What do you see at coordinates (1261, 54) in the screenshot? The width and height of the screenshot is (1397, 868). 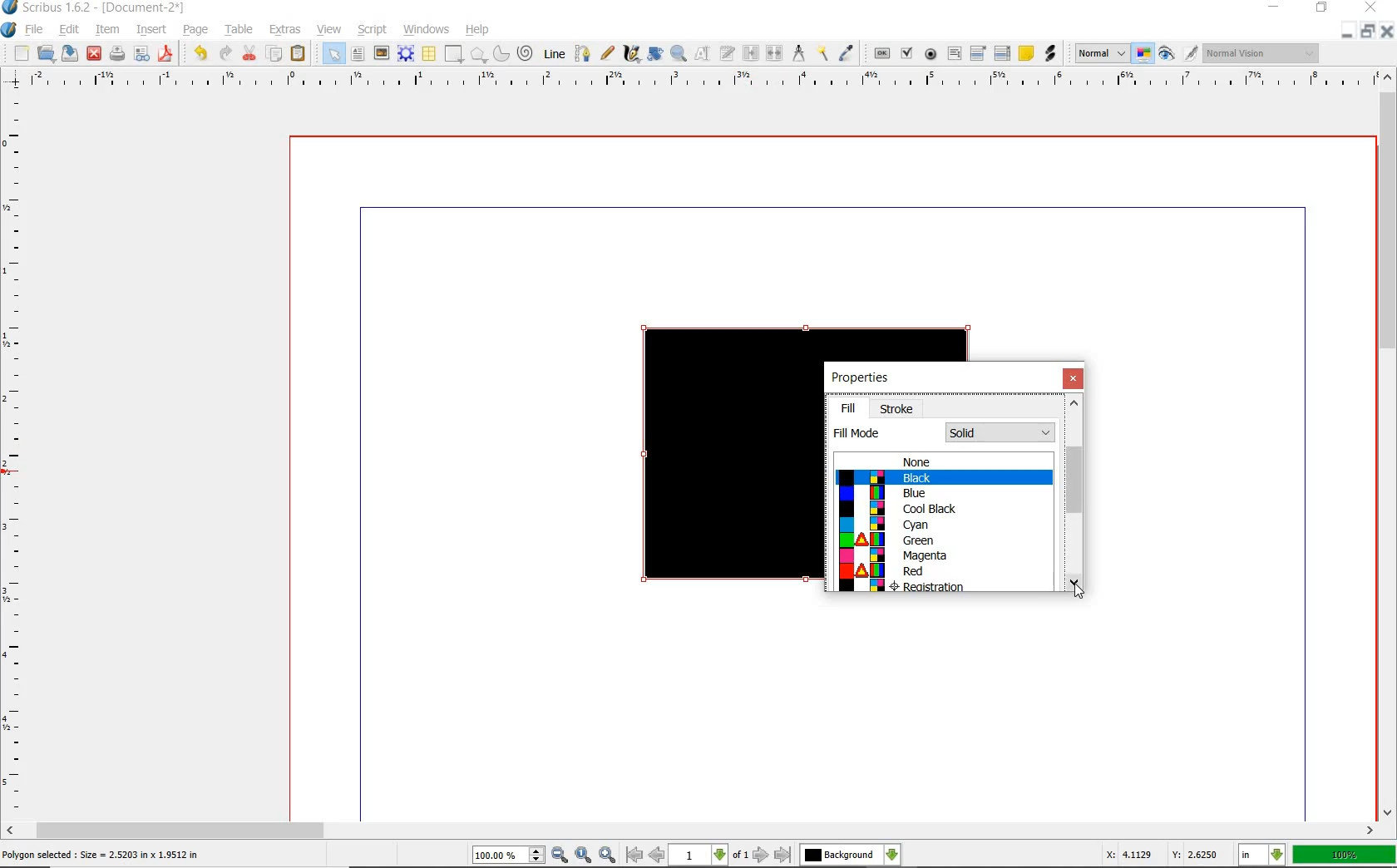 I see `Visual appearance of the display` at bounding box center [1261, 54].